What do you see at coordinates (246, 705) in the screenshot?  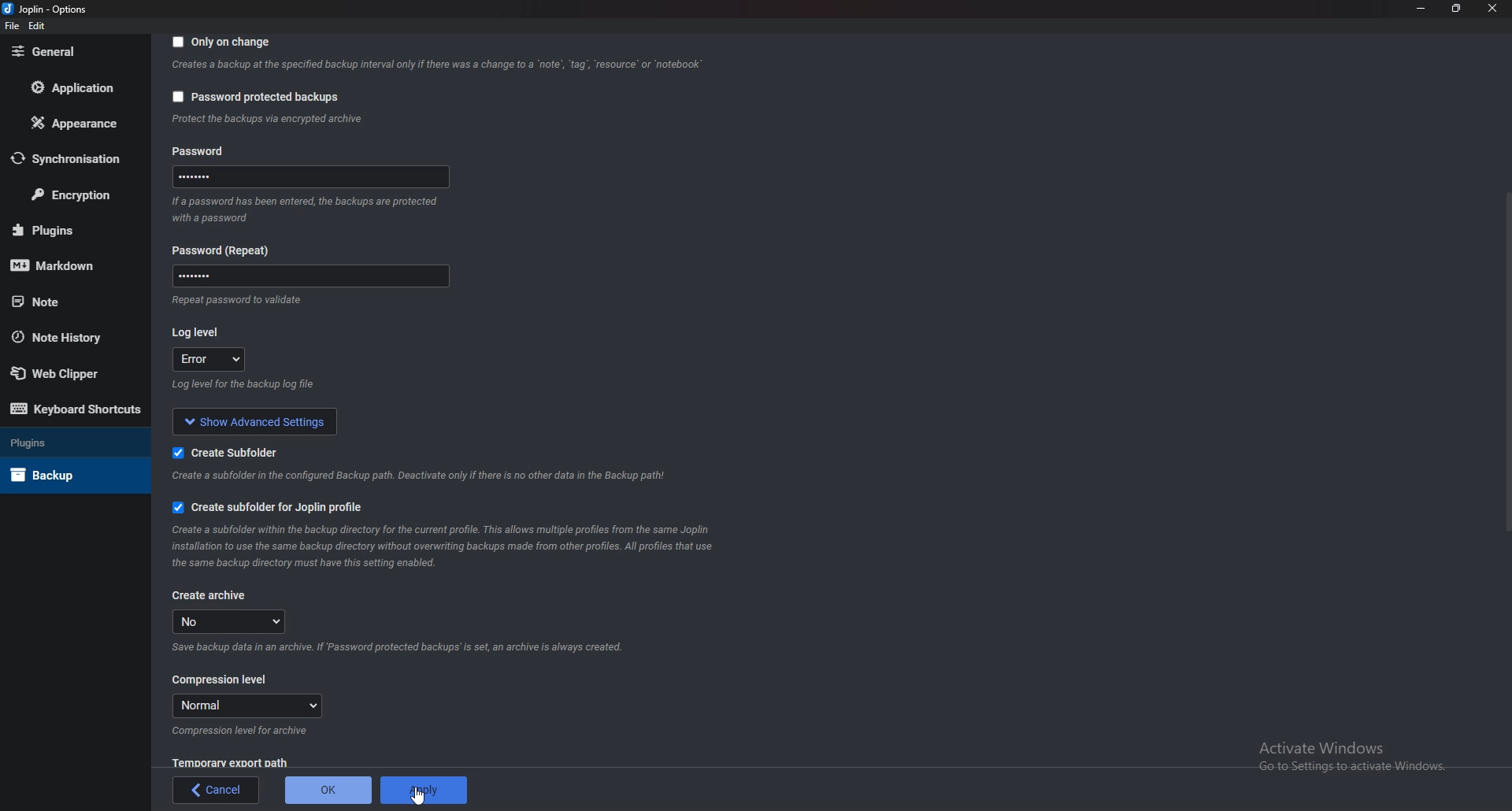 I see `Normal` at bounding box center [246, 705].